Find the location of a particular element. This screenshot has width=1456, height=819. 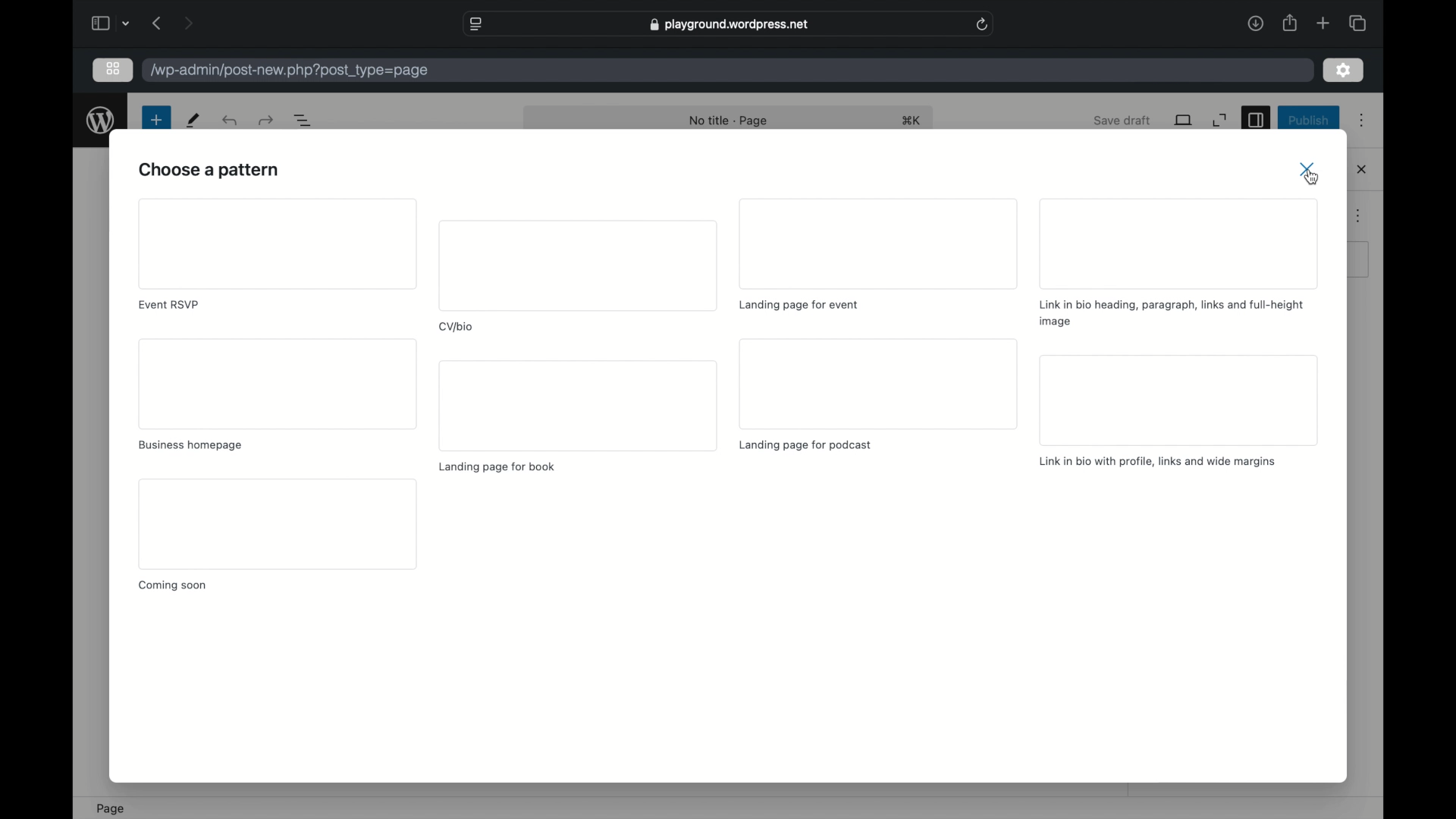

event rsvp is located at coordinates (168, 305).